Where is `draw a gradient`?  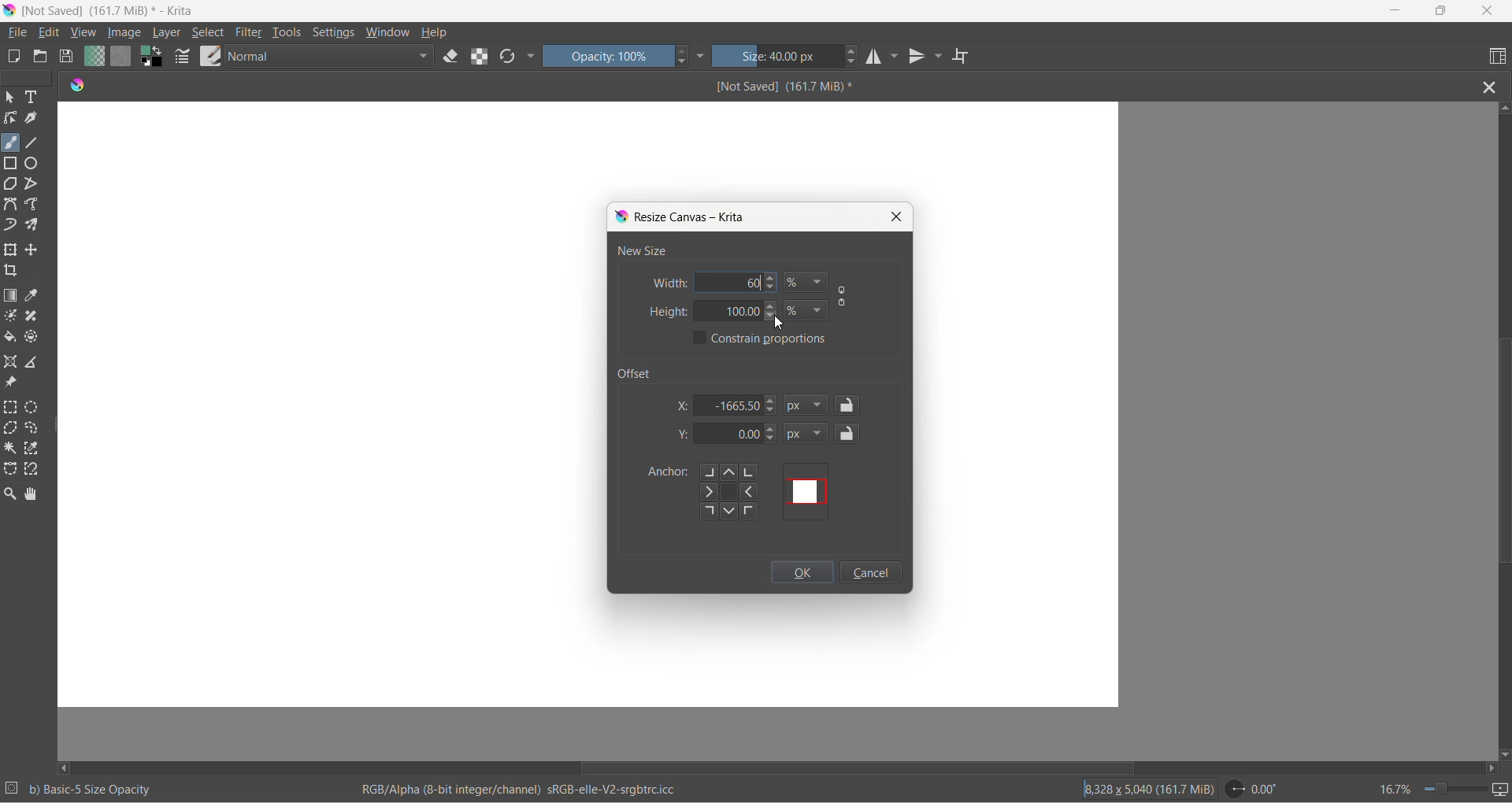
draw a gradient is located at coordinates (13, 297).